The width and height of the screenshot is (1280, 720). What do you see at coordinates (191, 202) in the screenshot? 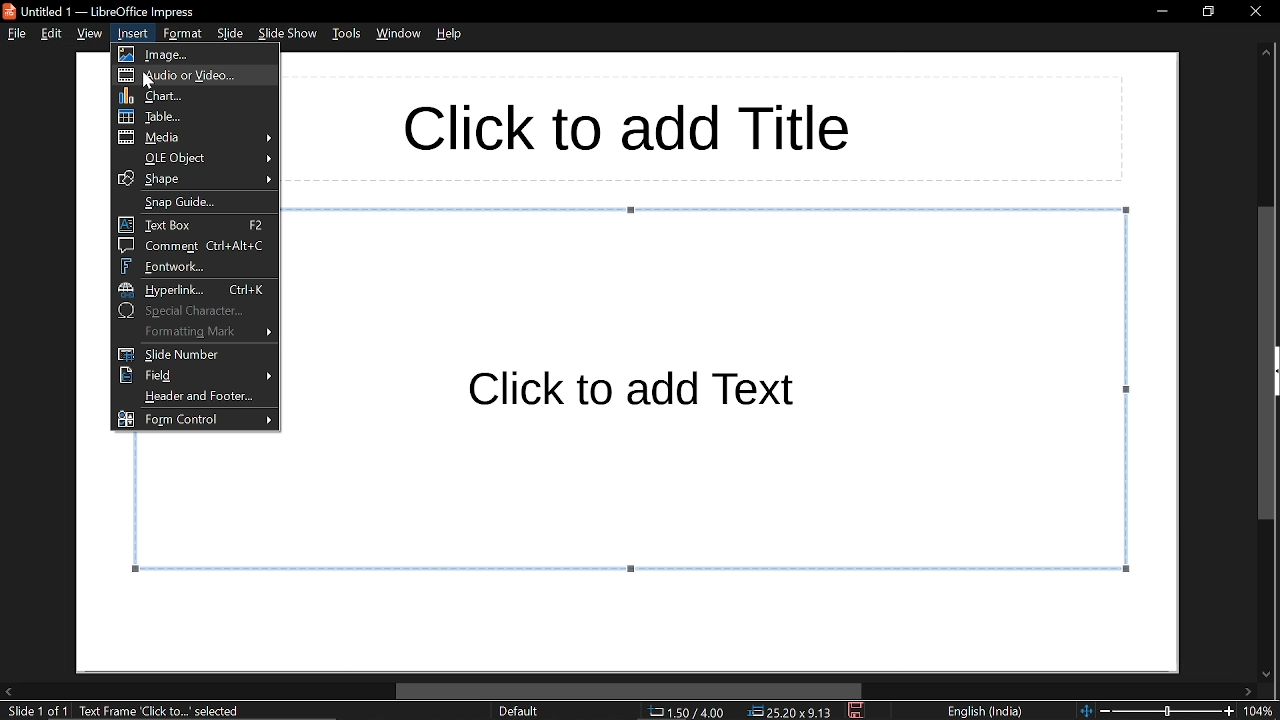
I see `snap guide` at bounding box center [191, 202].